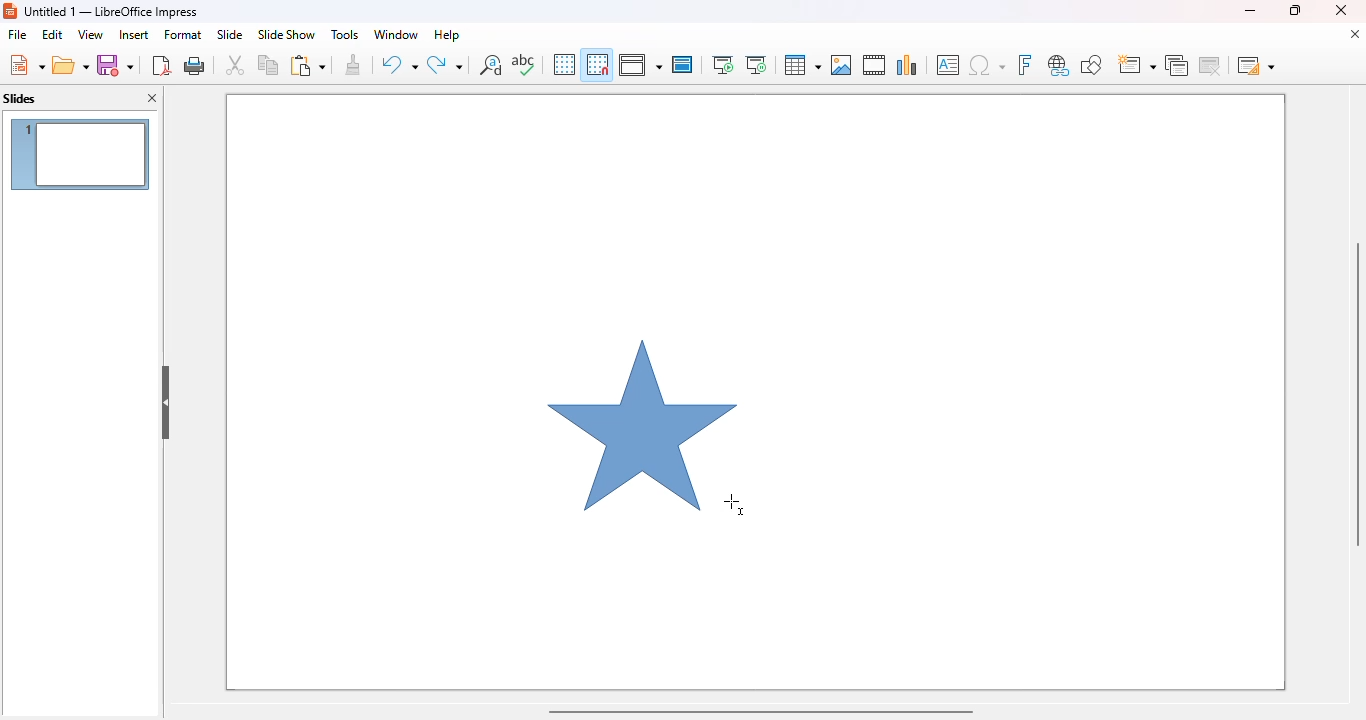 The width and height of the screenshot is (1366, 720). Describe the element at coordinates (344, 34) in the screenshot. I see `tools` at that location.